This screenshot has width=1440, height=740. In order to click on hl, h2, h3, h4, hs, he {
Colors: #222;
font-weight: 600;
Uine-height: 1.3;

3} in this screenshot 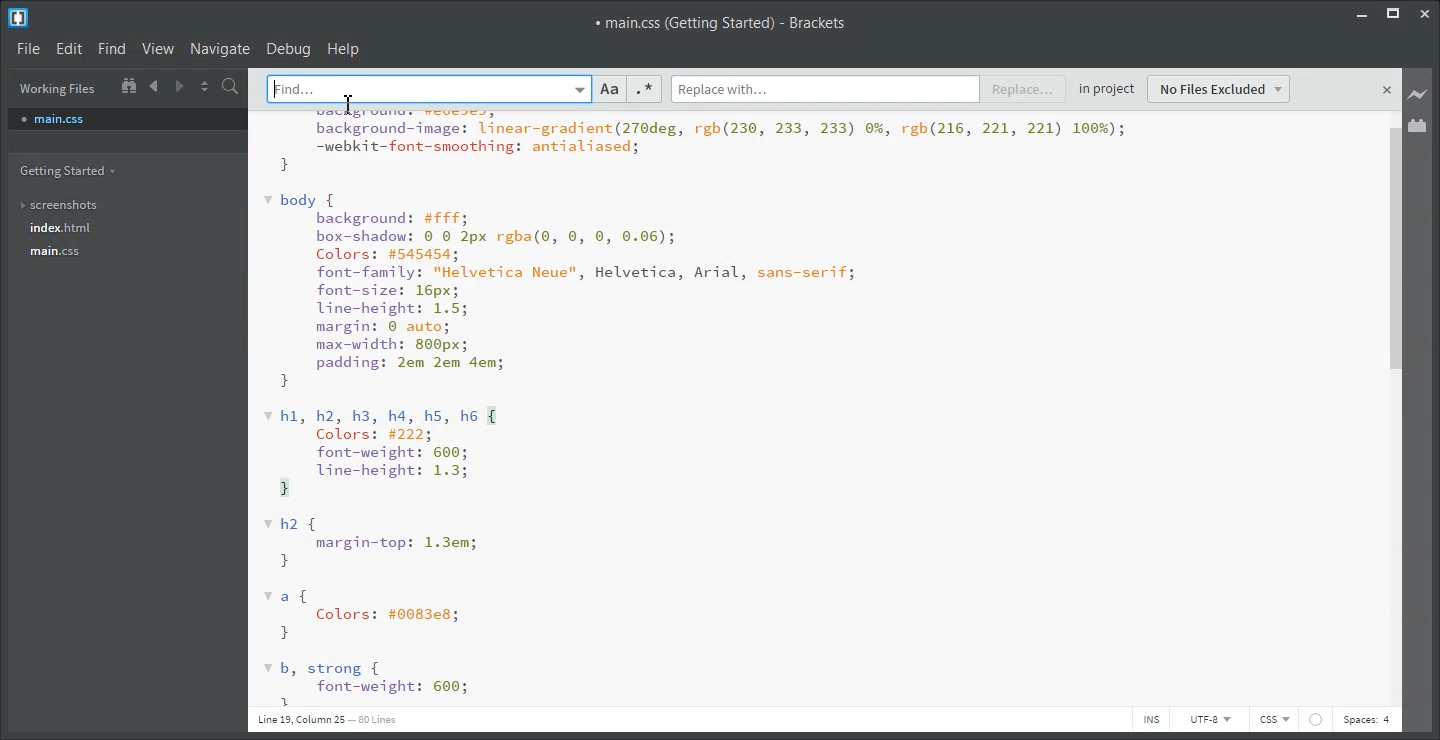, I will do `click(382, 451)`.